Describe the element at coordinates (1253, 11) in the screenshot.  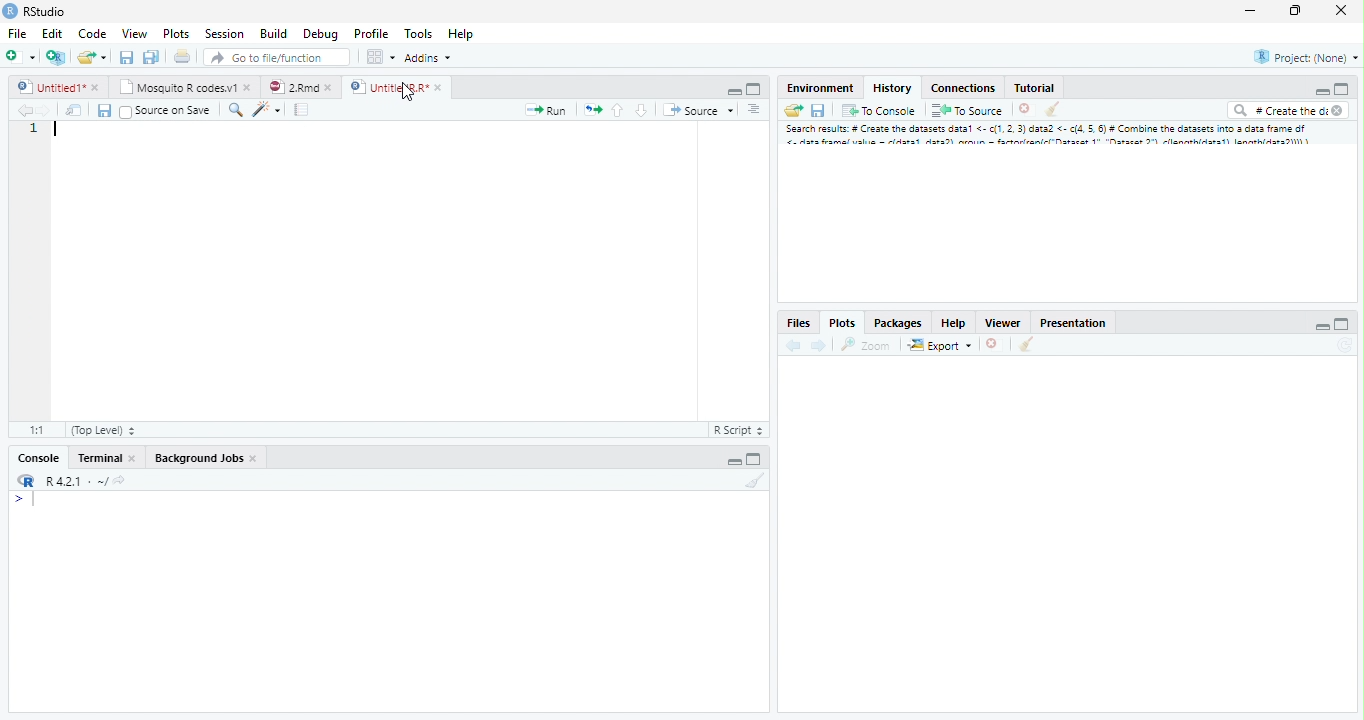
I see `Minimize` at that location.